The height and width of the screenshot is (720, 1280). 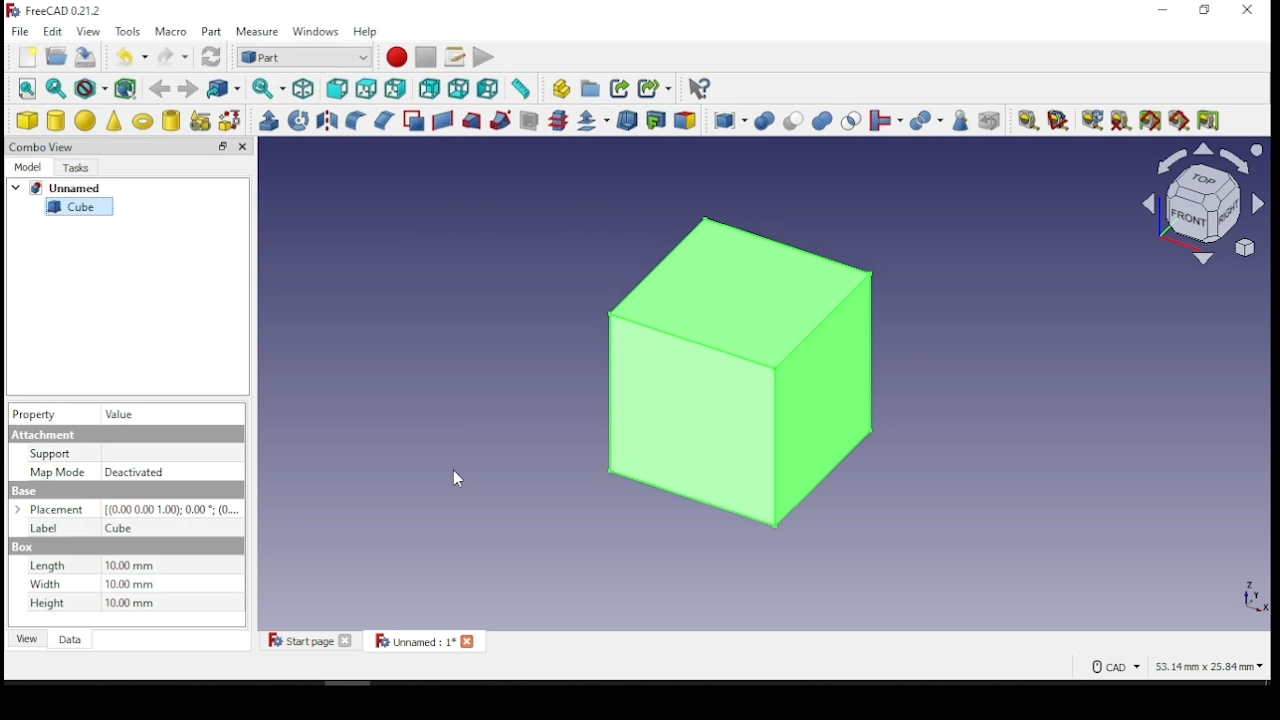 I want to click on Base, so click(x=22, y=548).